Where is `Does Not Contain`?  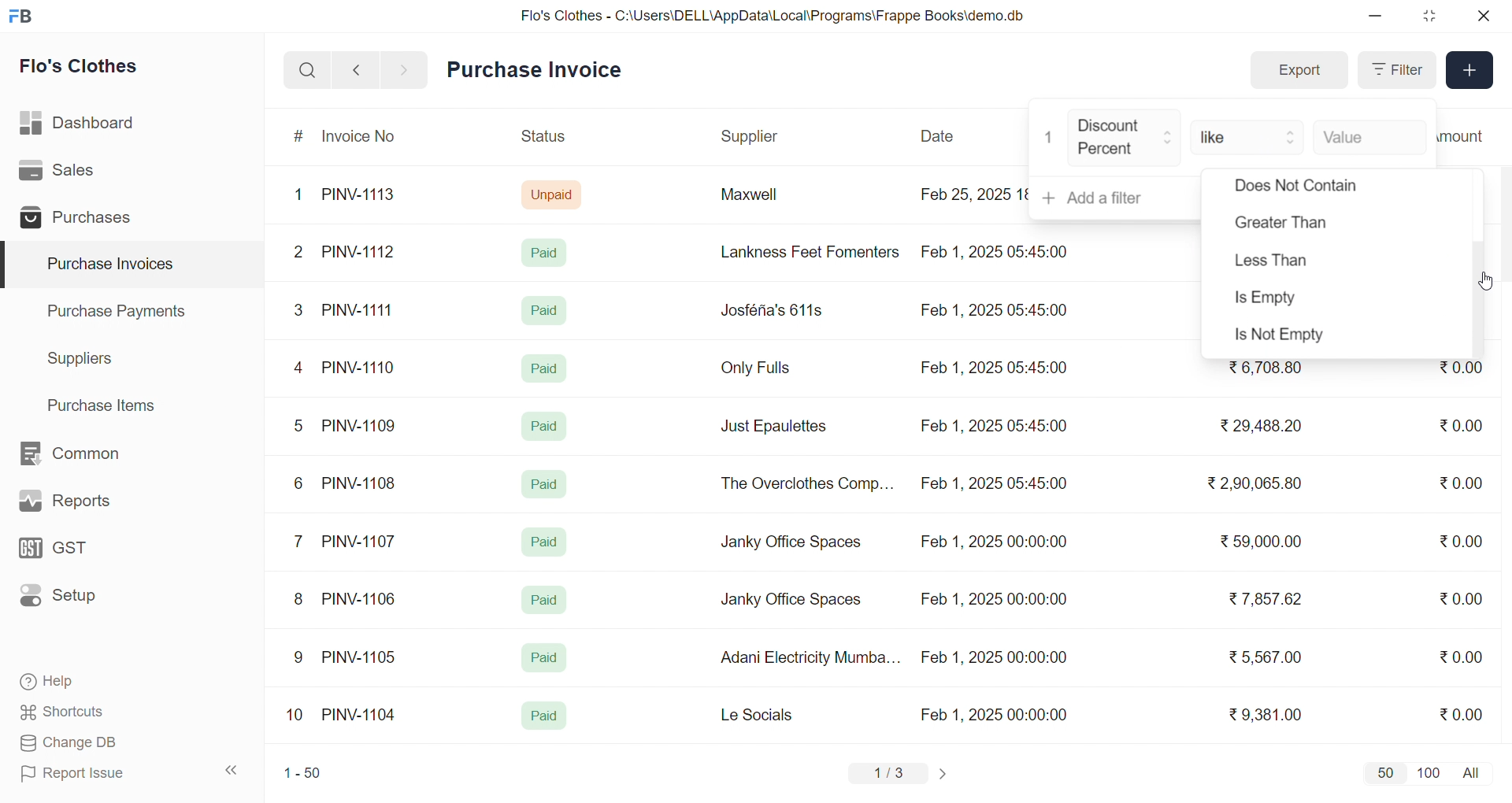
Does Not Contain is located at coordinates (1296, 189).